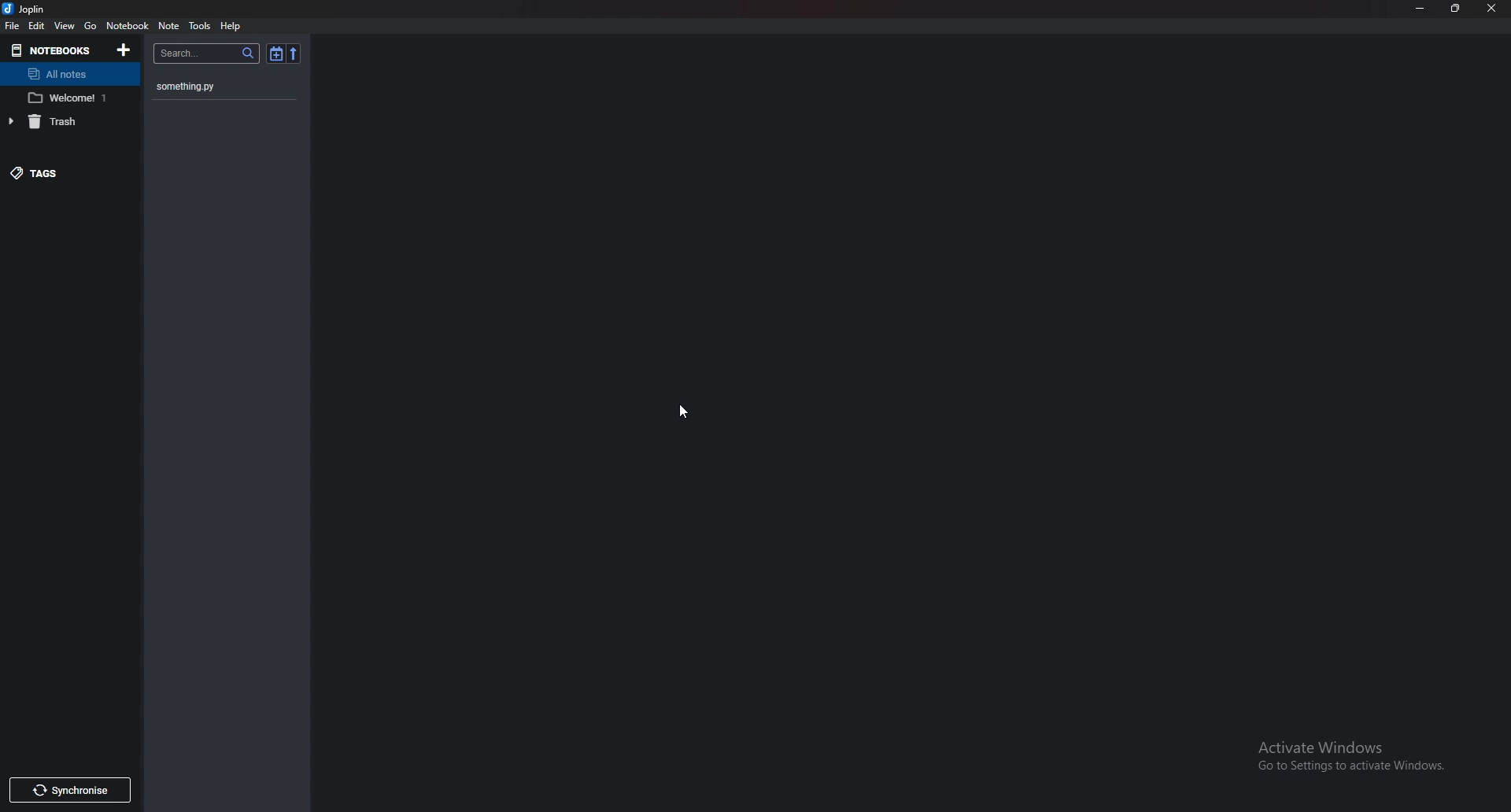  I want to click on go, so click(91, 25).